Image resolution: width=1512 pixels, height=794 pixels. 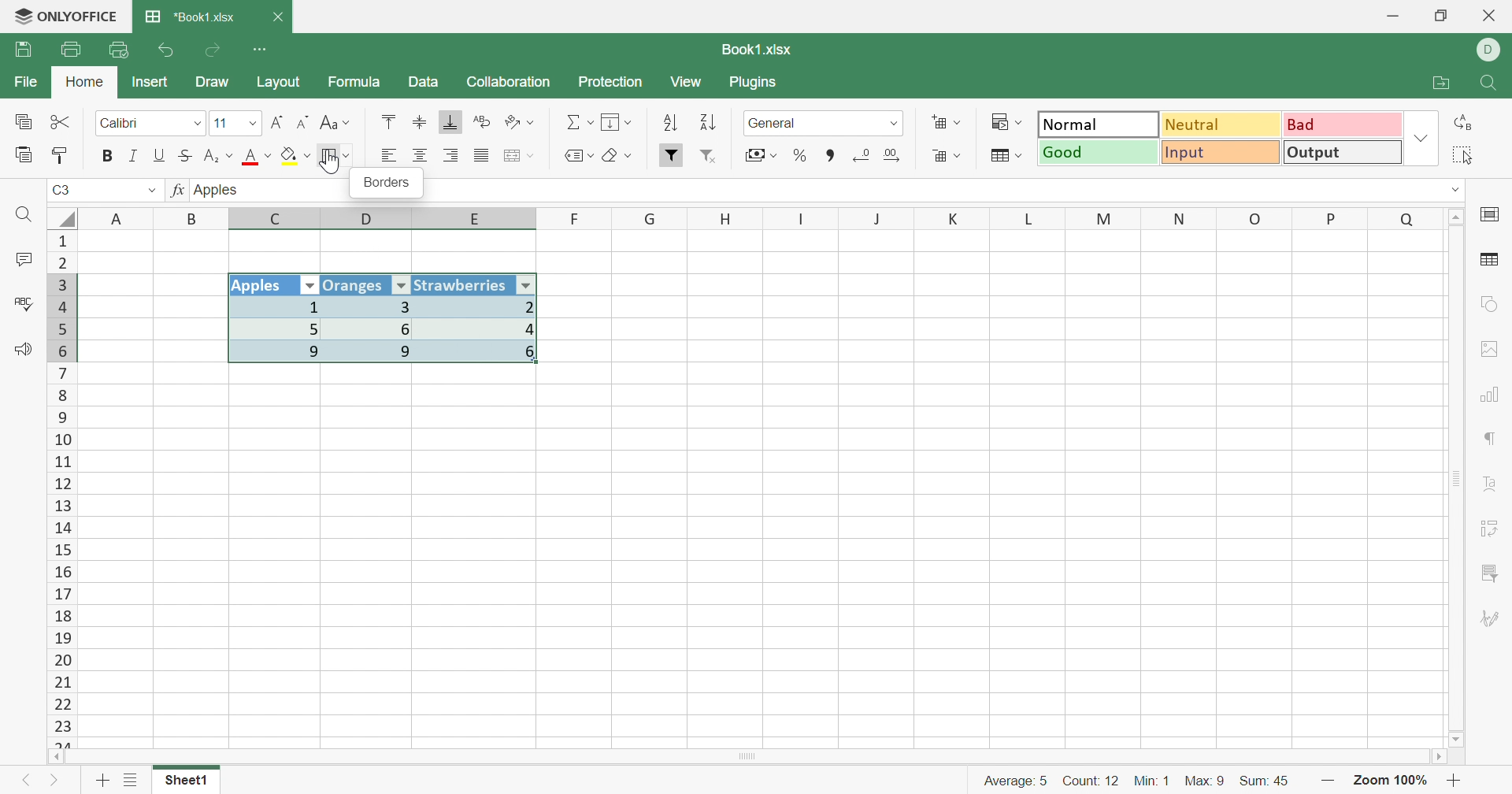 What do you see at coordinates (519, 156) in the screenshot?
I see `Insert columns` at bounding box center [519, 156].